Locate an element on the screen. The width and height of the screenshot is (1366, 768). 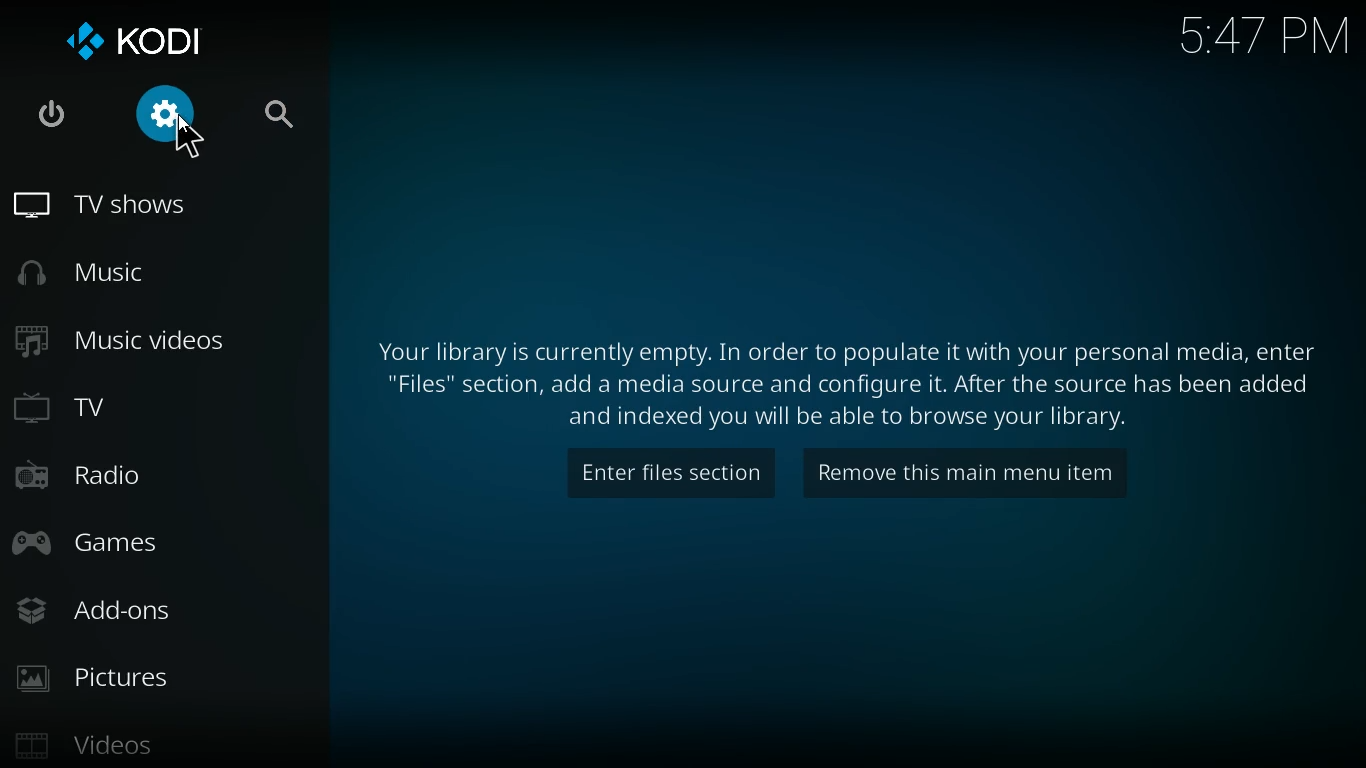
time is located at coordinates (1256, 41).